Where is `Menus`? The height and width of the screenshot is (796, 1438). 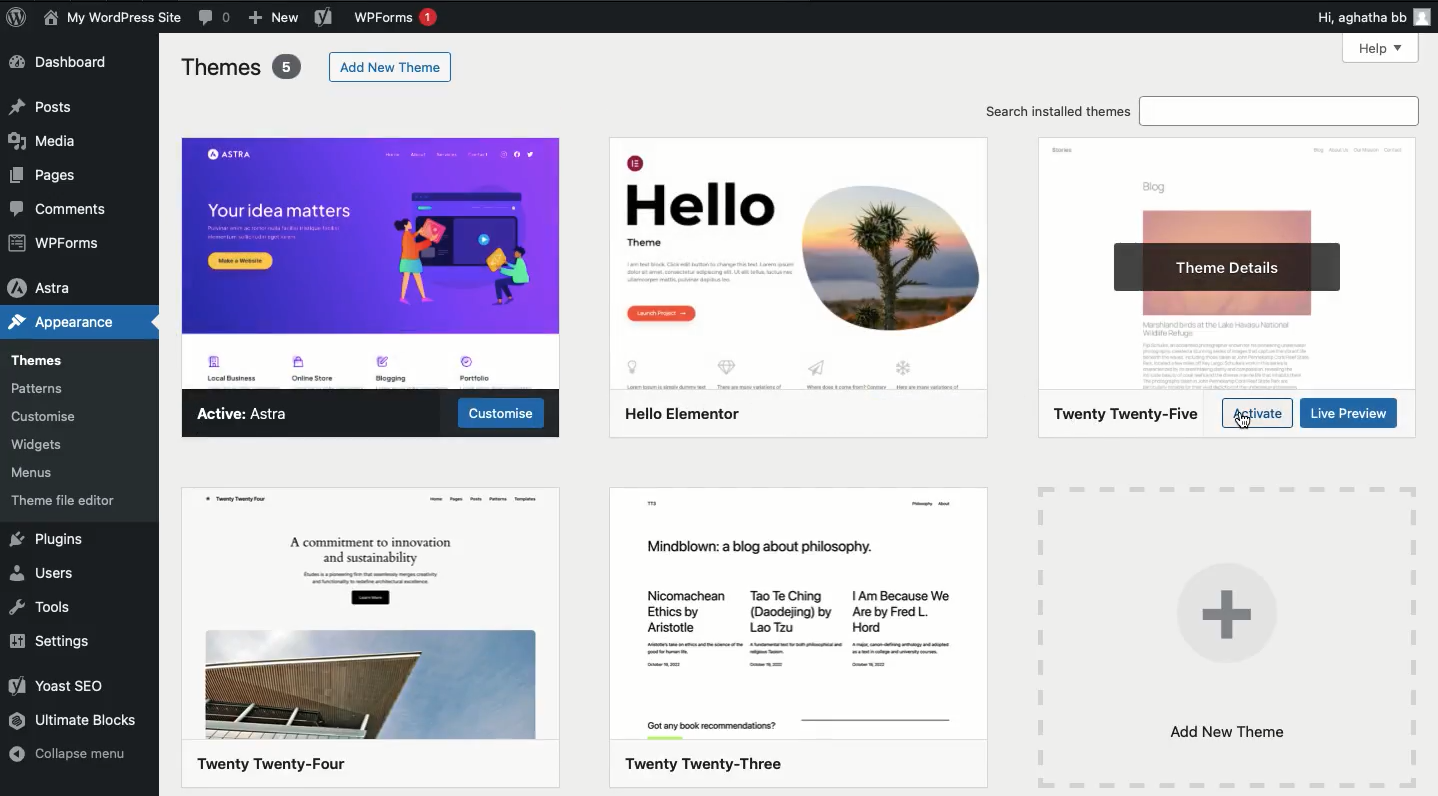 Menus is located at coordinates (36, 472).